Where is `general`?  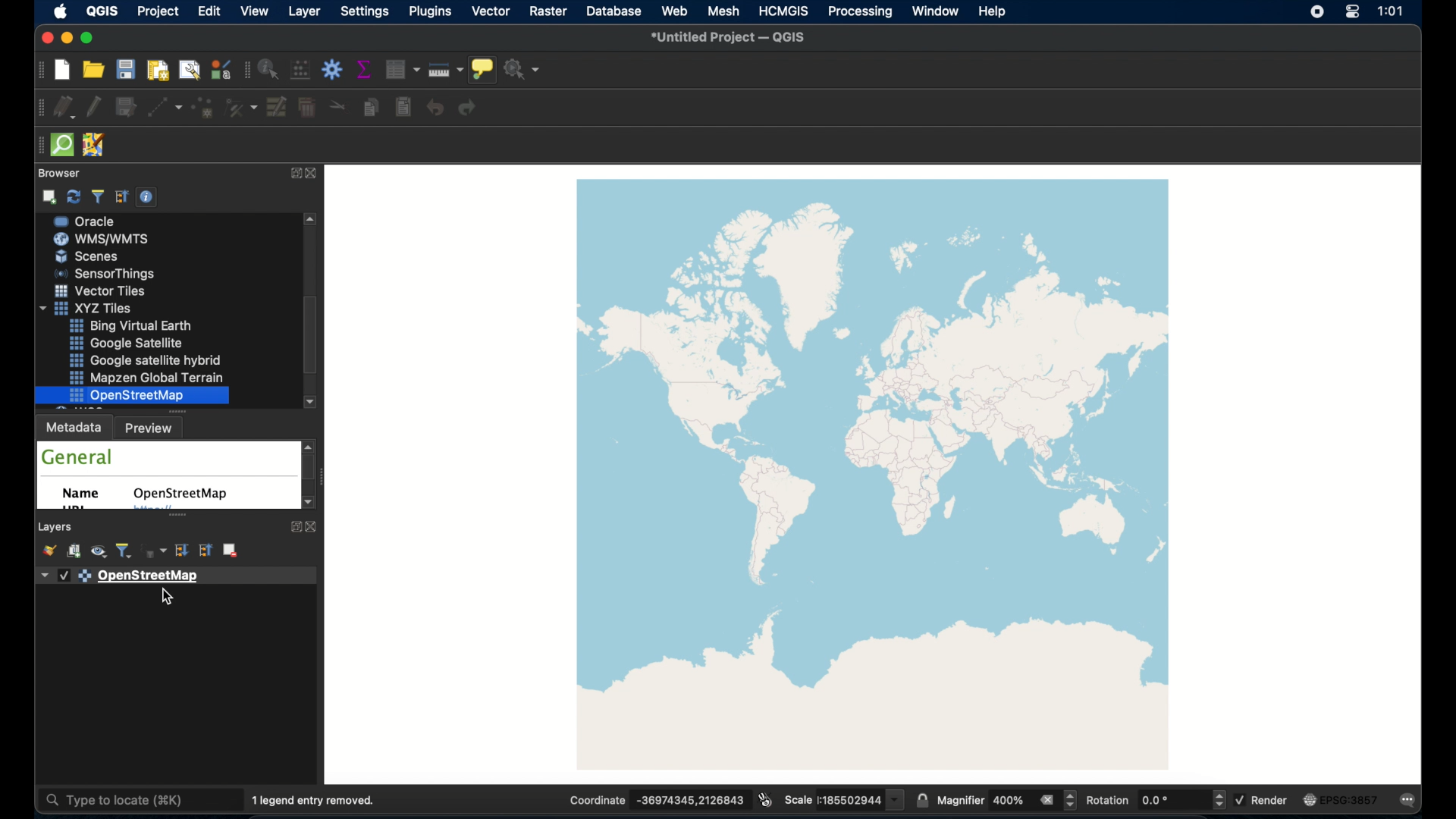
general is located at coordinates (77, 457).